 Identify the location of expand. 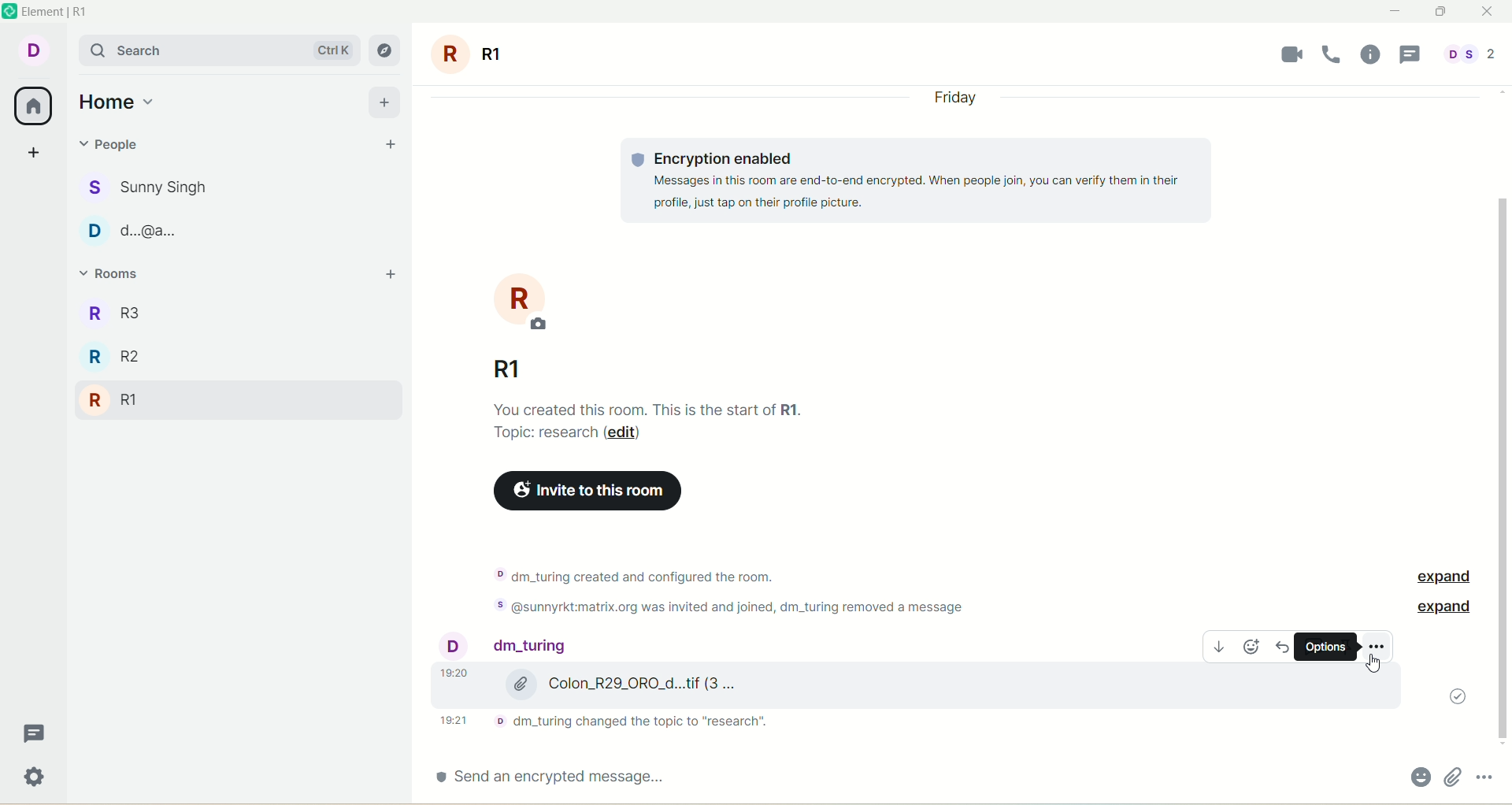
(1438, 577).